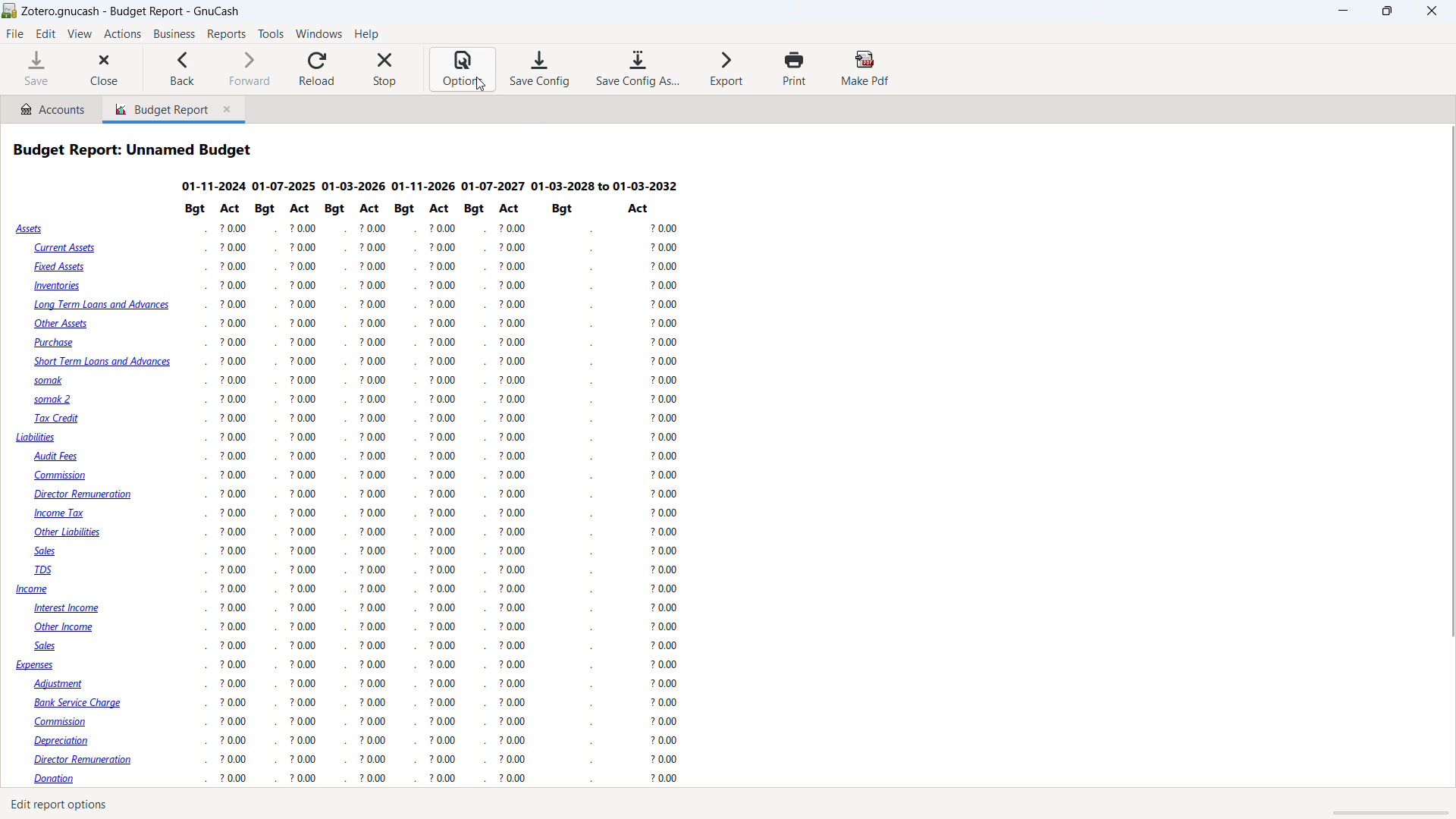  I want to click on Sales, so click(53, 552).